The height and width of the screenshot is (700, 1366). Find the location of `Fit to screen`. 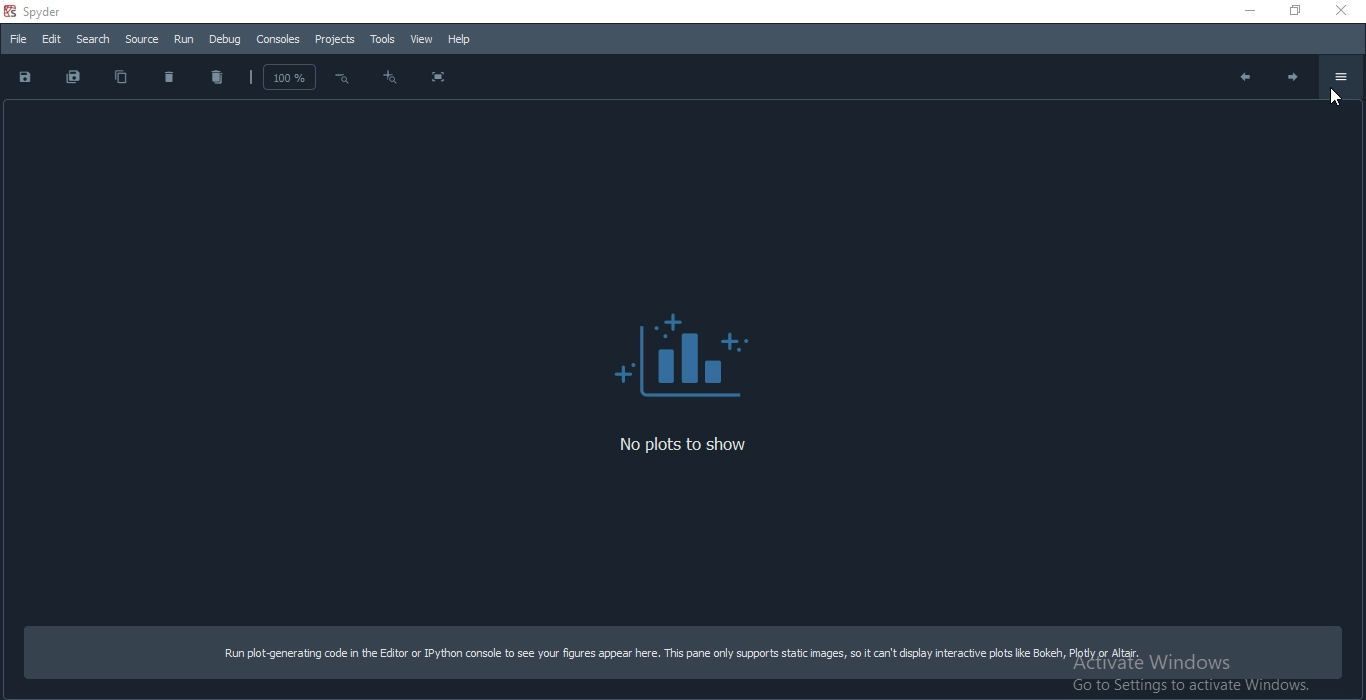

Fit to screen is located at coordinates (438, 78).